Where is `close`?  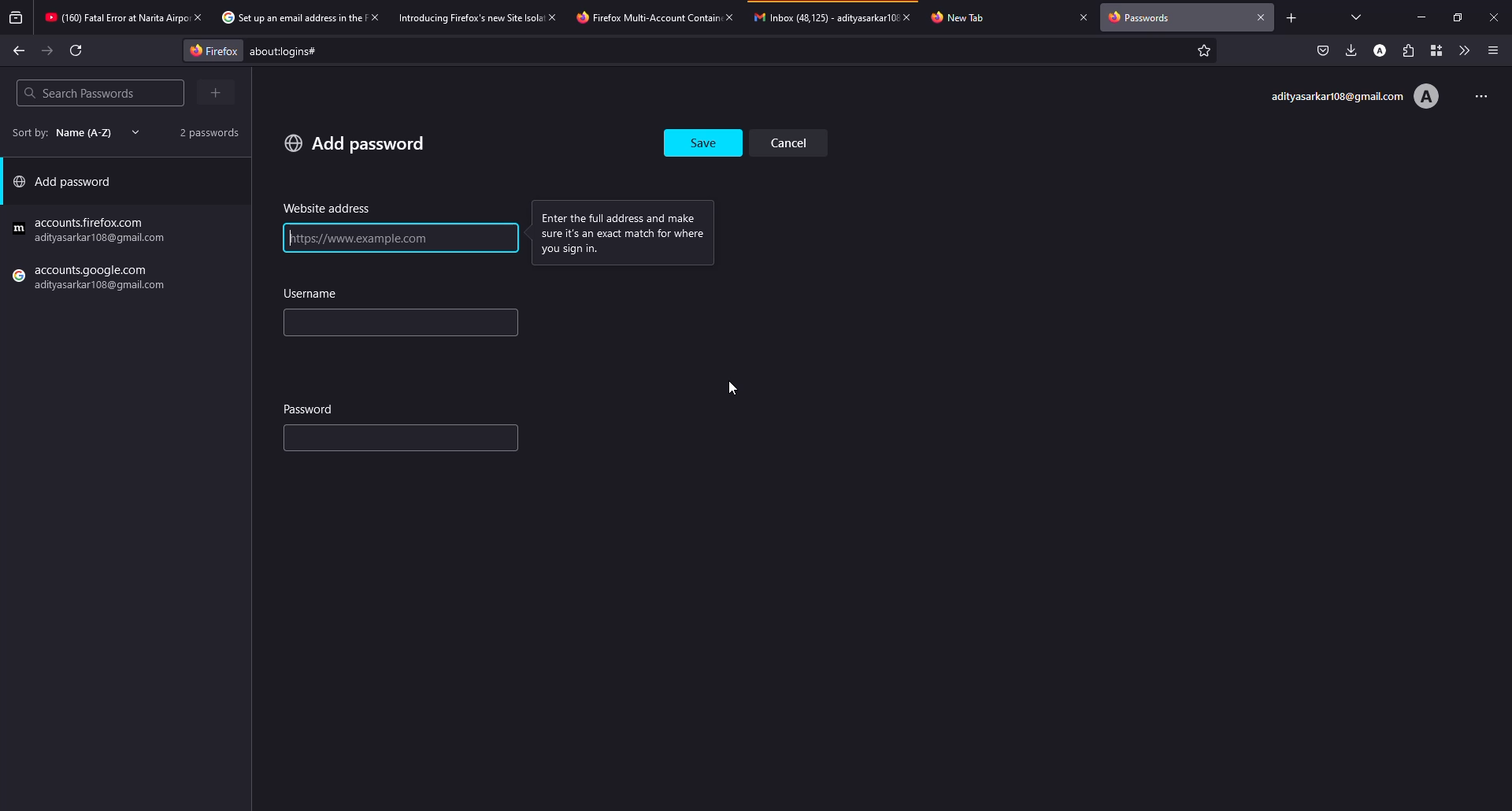 close is located at coordinates (728, 17).